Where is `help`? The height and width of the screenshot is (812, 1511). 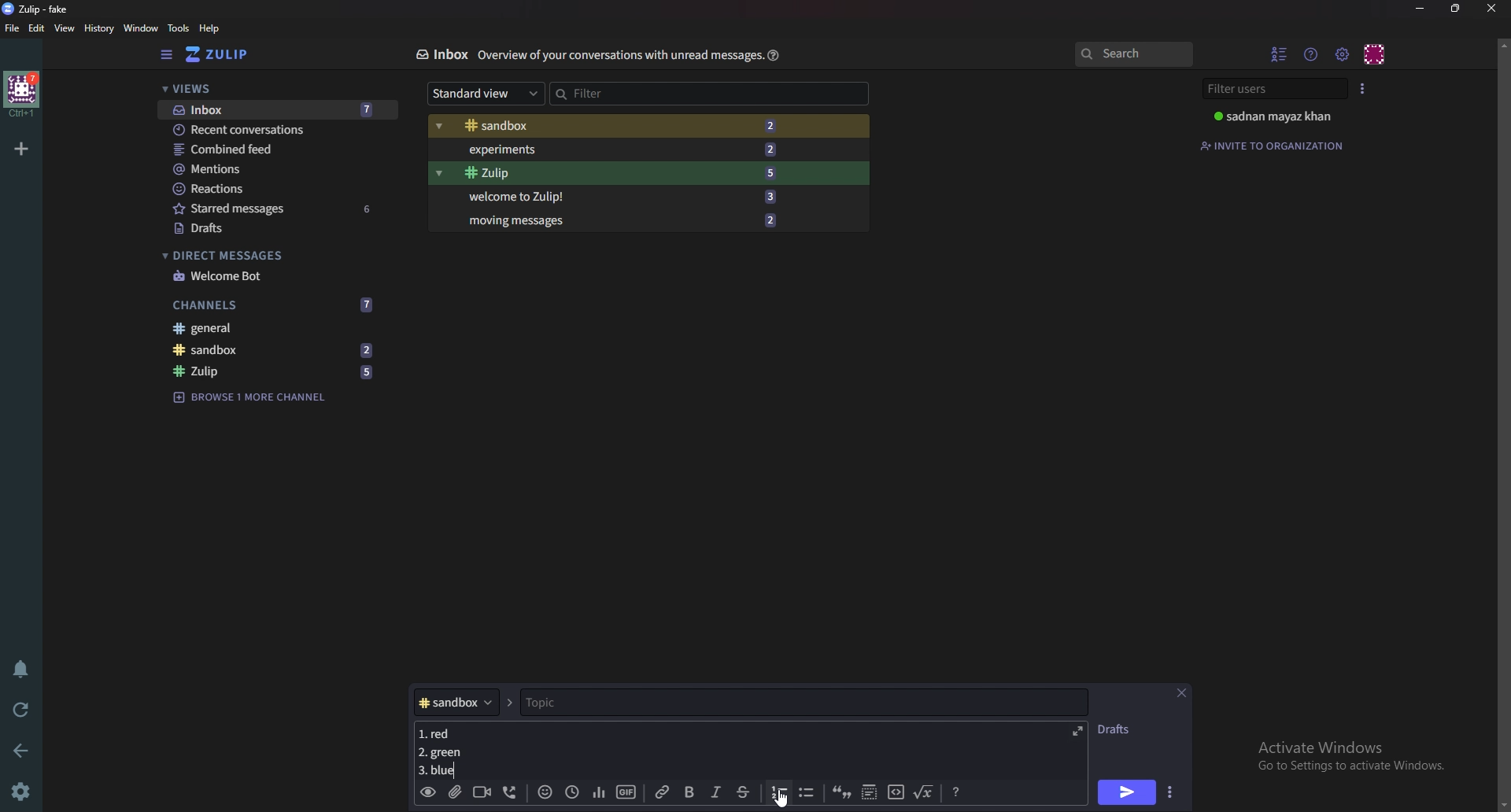
help is located at coordinates (209, 29).